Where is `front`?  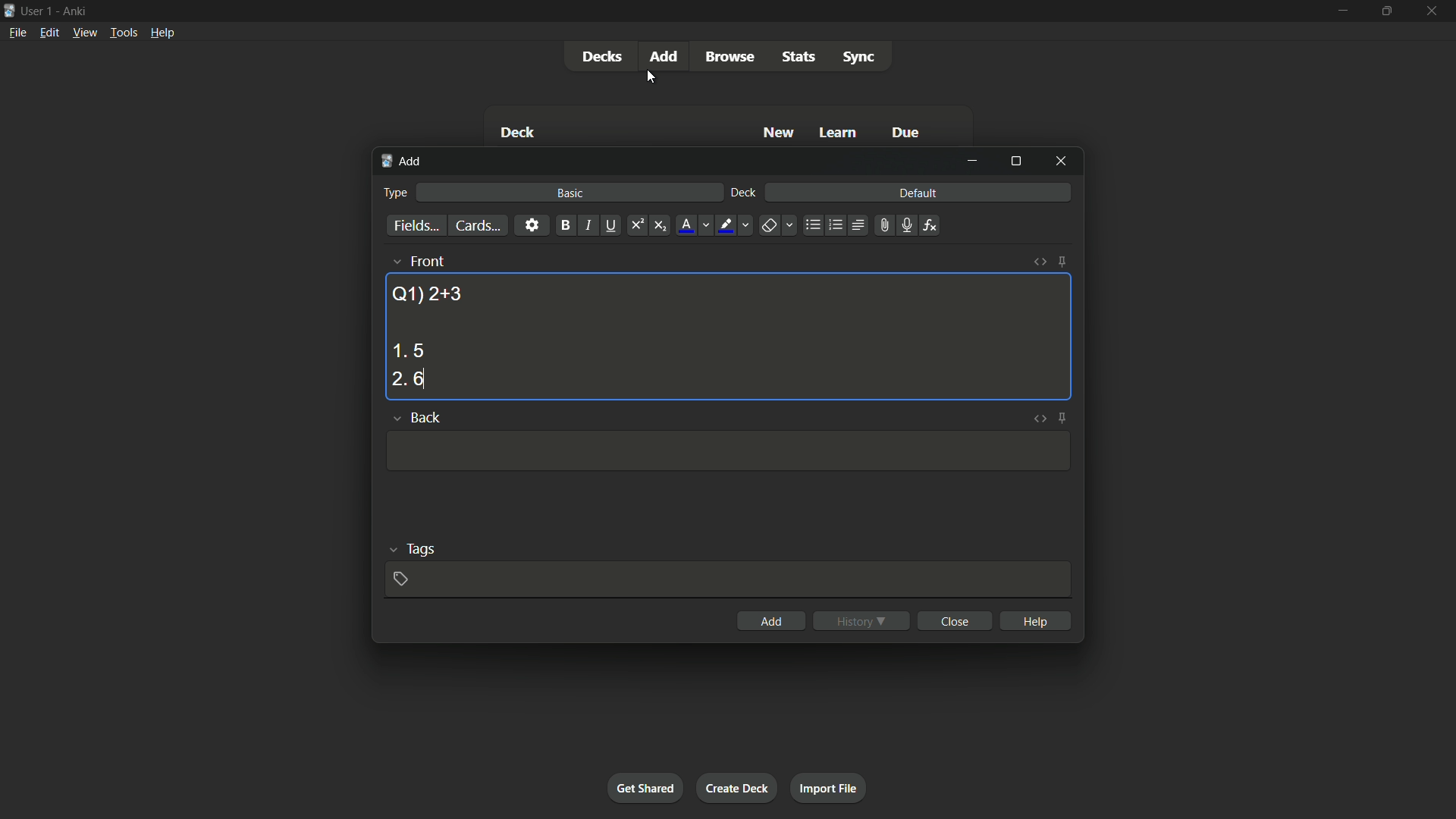 front is located at coordinates (426, 261).